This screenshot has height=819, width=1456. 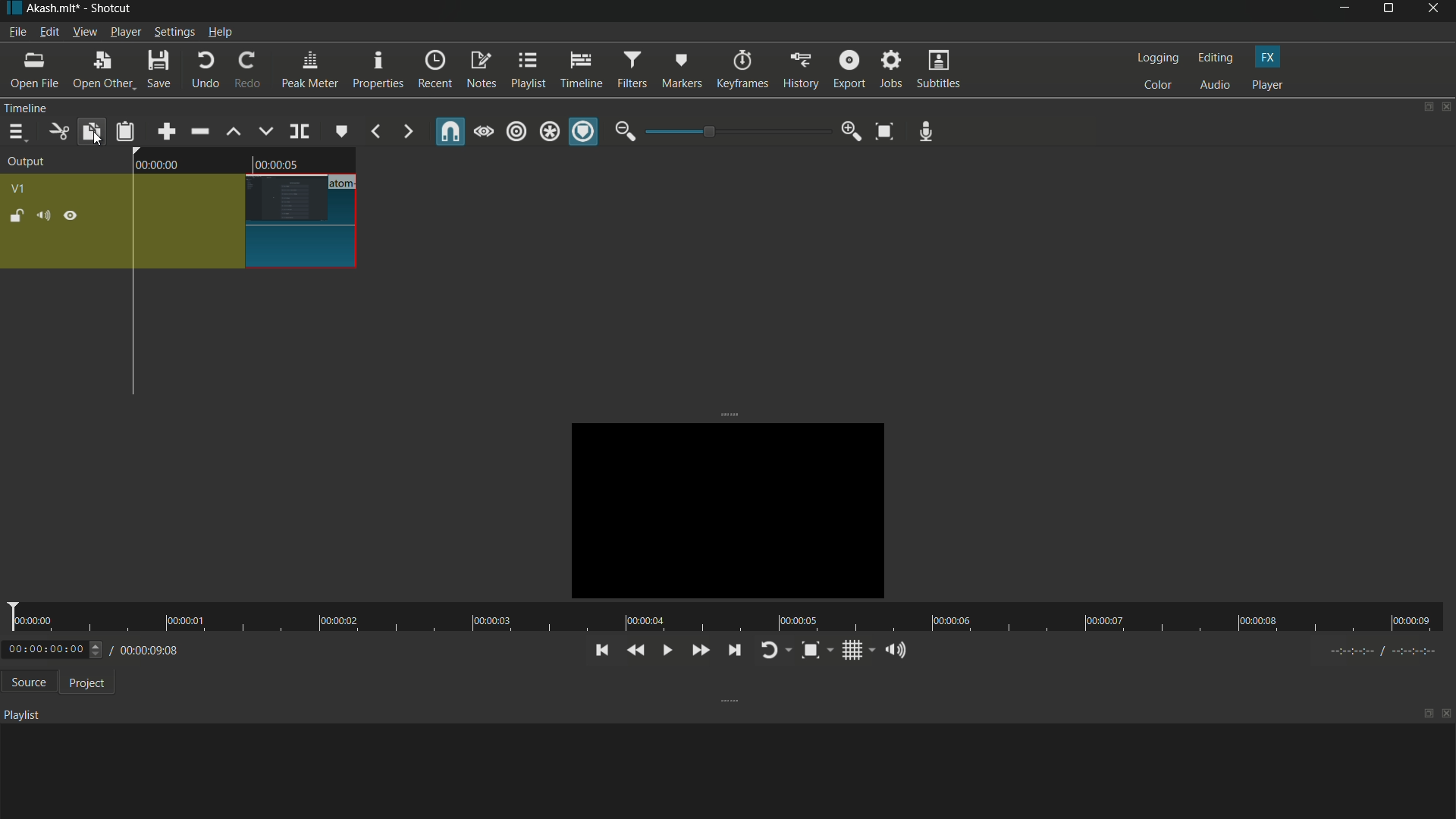 What do you see at coordinates (1157, 85) in the screenshot?
I see `color` at bounding box center [1157, 85].